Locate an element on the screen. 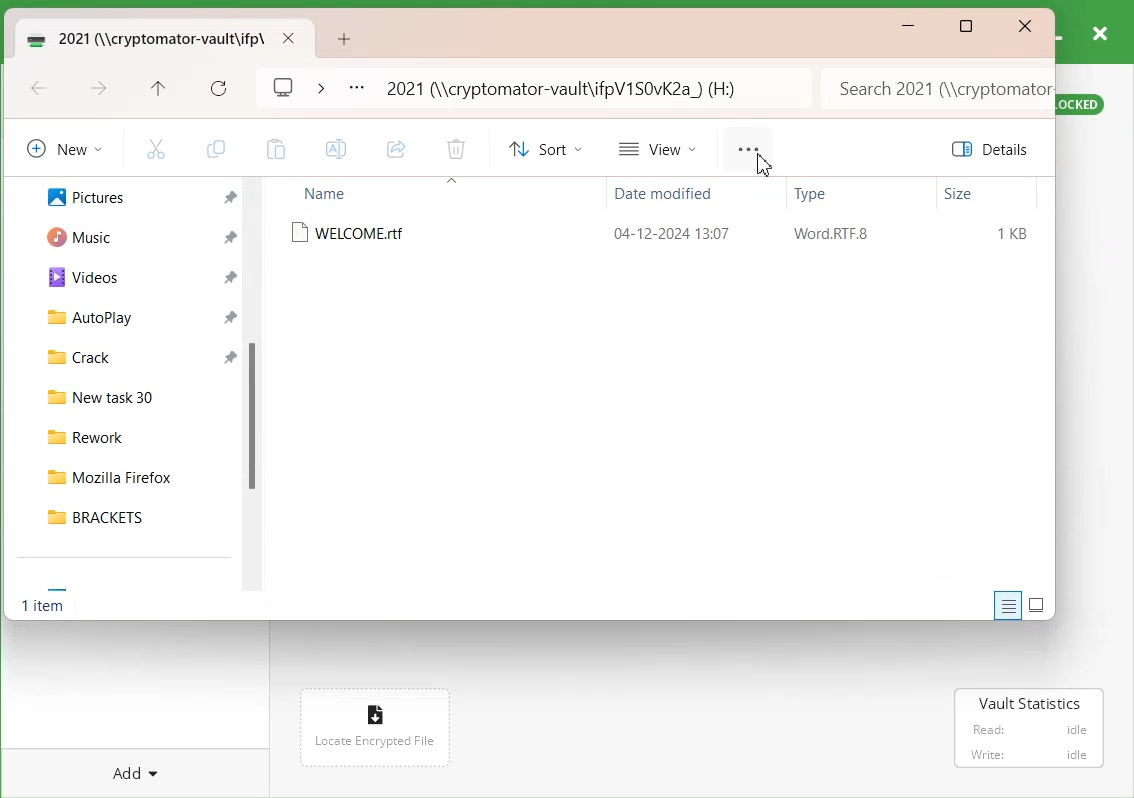  Mozilla Firefox is located at coordinates (131, 473).